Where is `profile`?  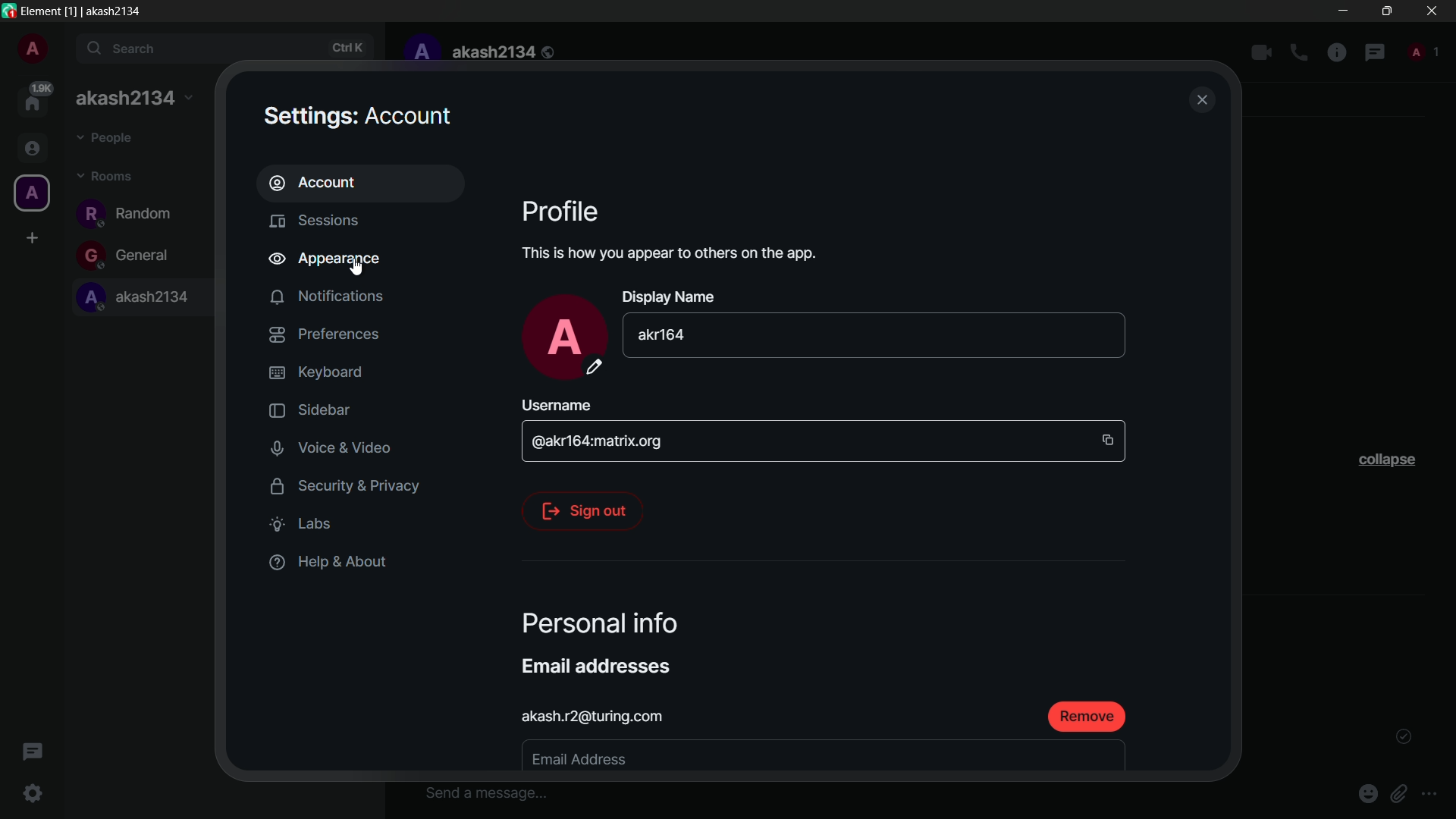 profile is located at coordinates (420, 52).